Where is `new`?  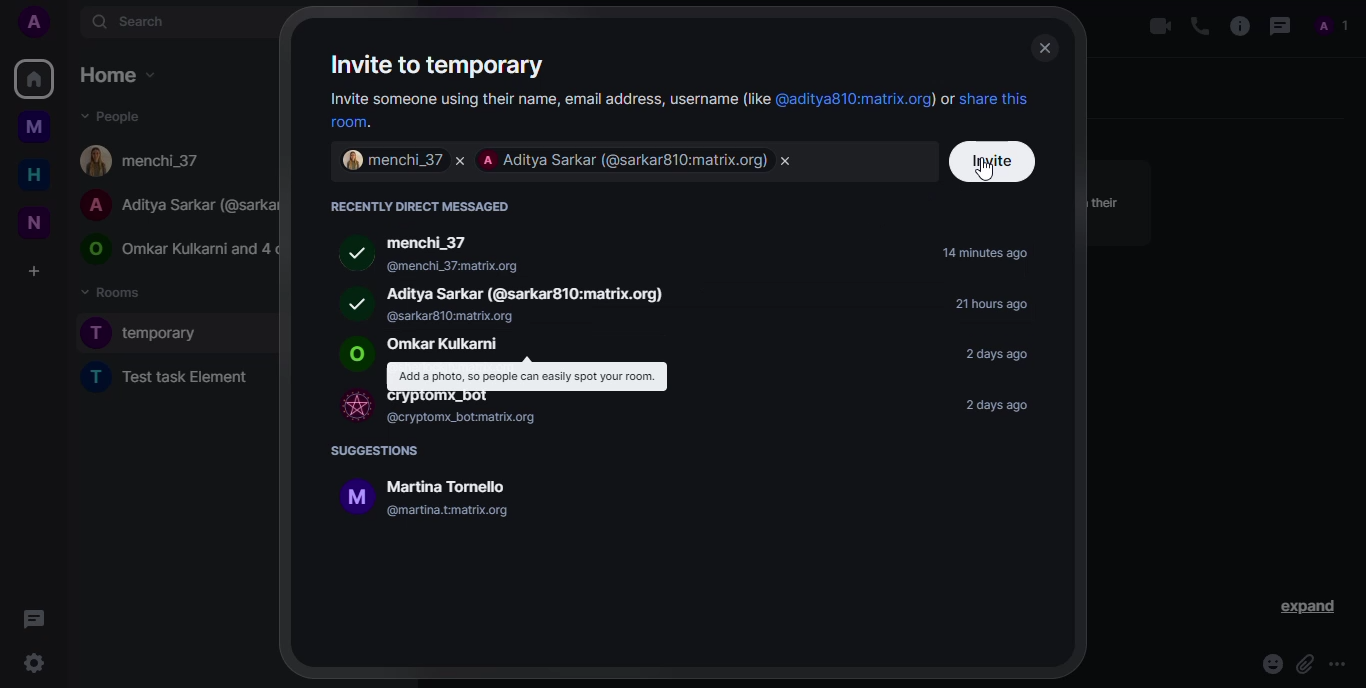
new is located at coordinates (31, 221).